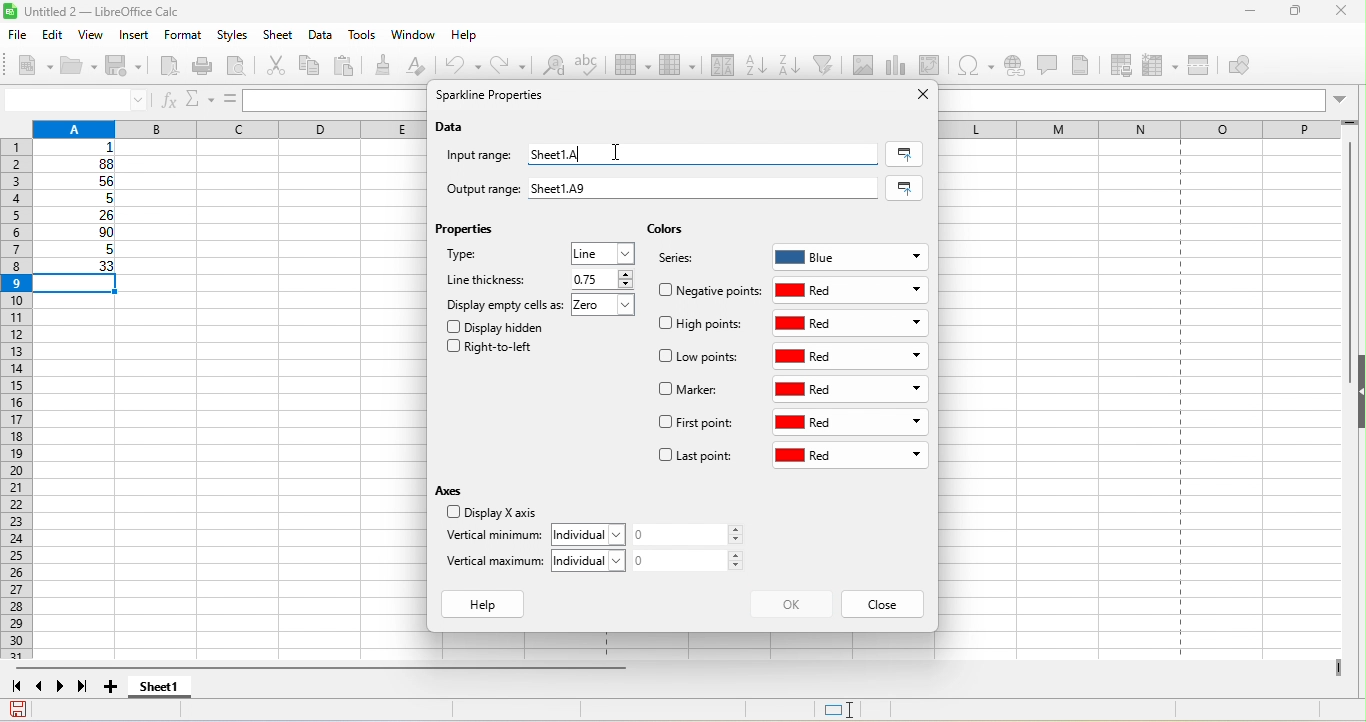  What do you see at coordinates (865, 64) in the screenshot?
I see `image` at bounding box center [865, 64].